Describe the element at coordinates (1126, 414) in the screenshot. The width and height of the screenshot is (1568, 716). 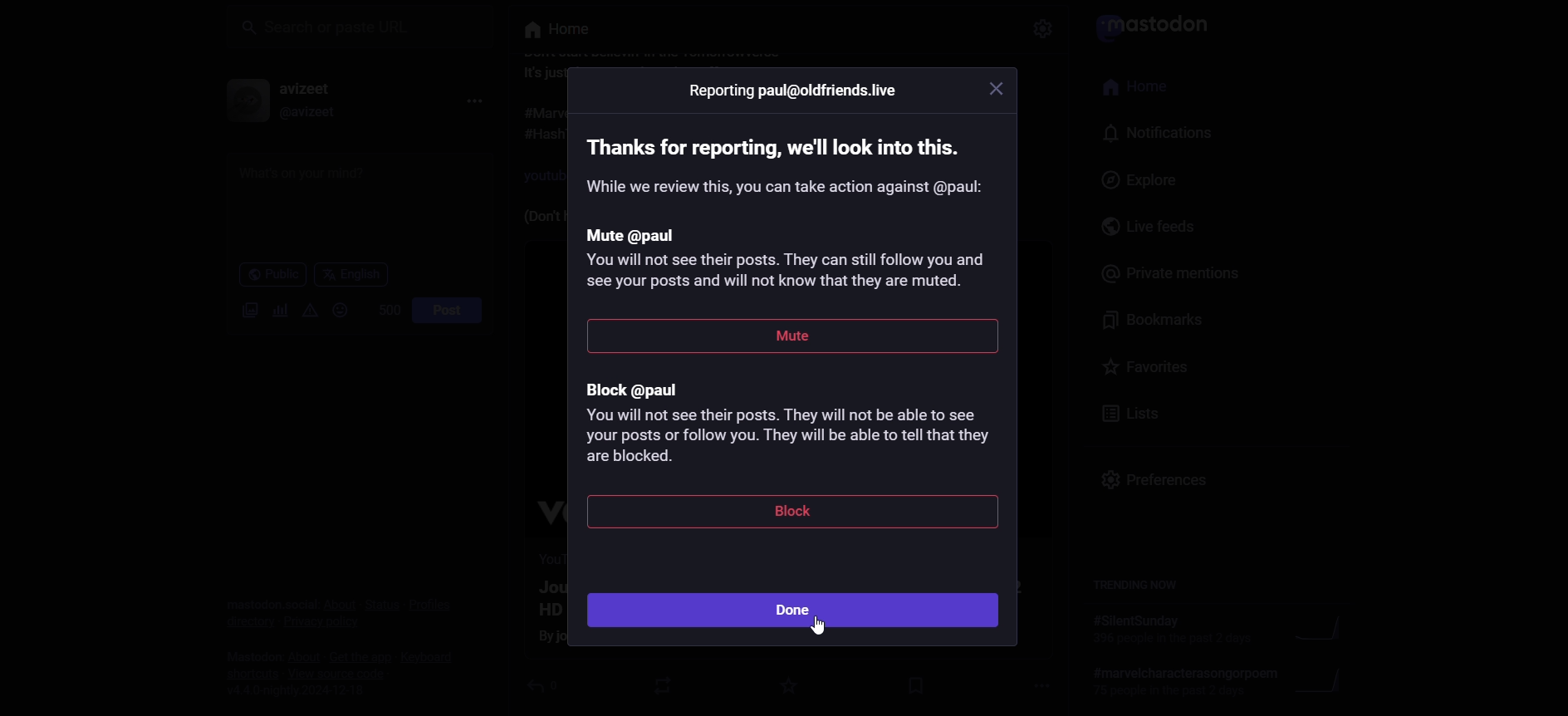
I see `lists` at that location.